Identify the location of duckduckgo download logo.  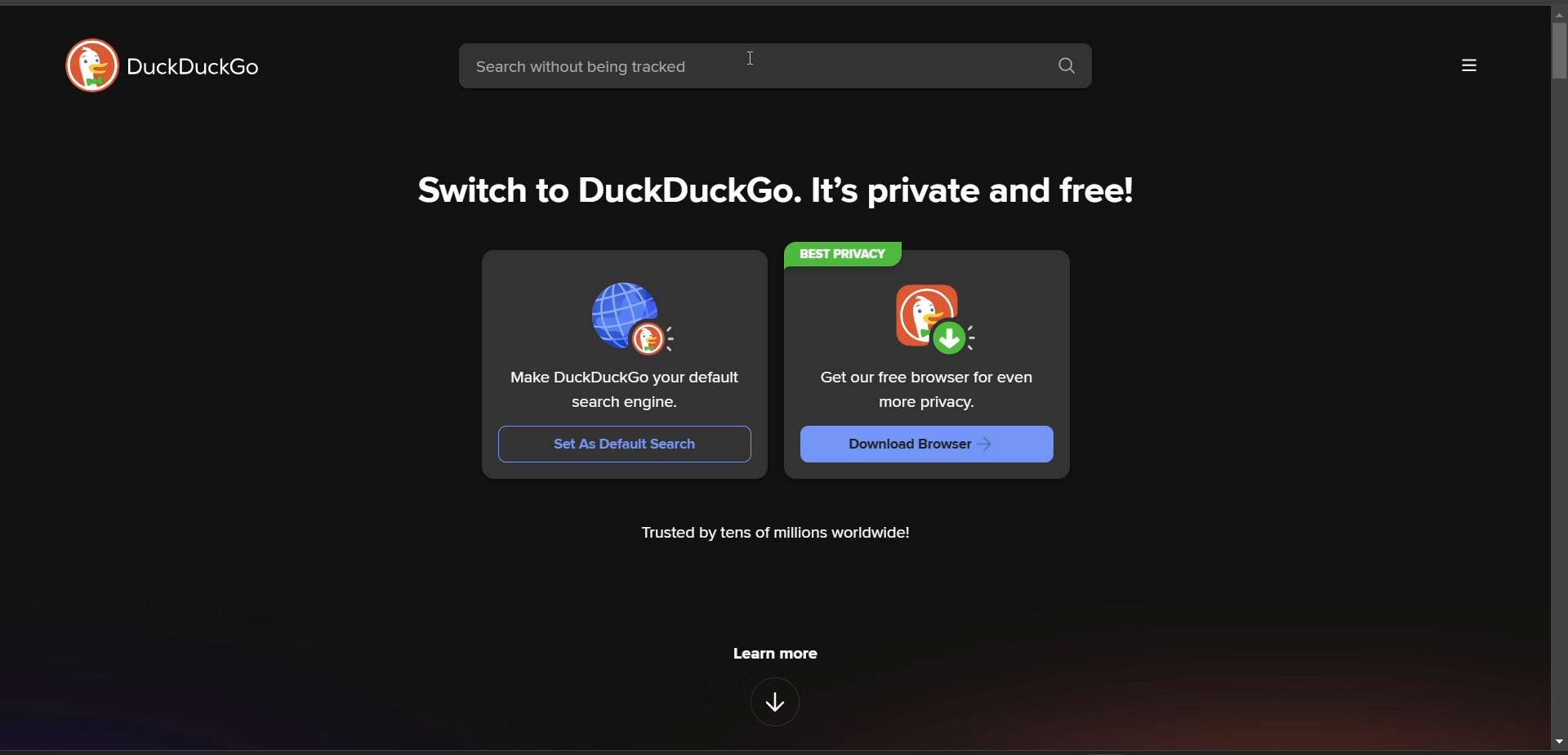
(923, 315).